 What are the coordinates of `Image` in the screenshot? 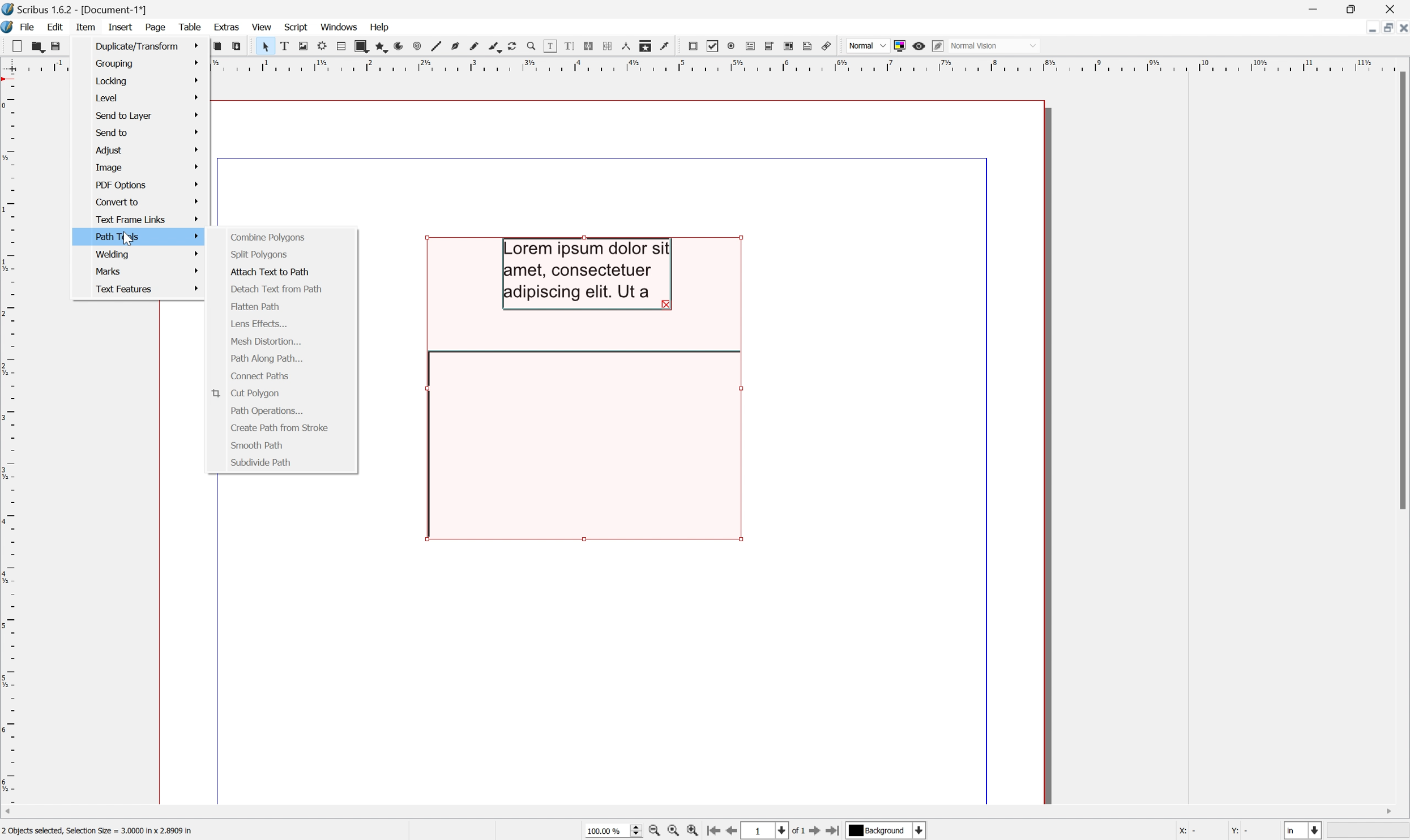 It's located at (146, 167).